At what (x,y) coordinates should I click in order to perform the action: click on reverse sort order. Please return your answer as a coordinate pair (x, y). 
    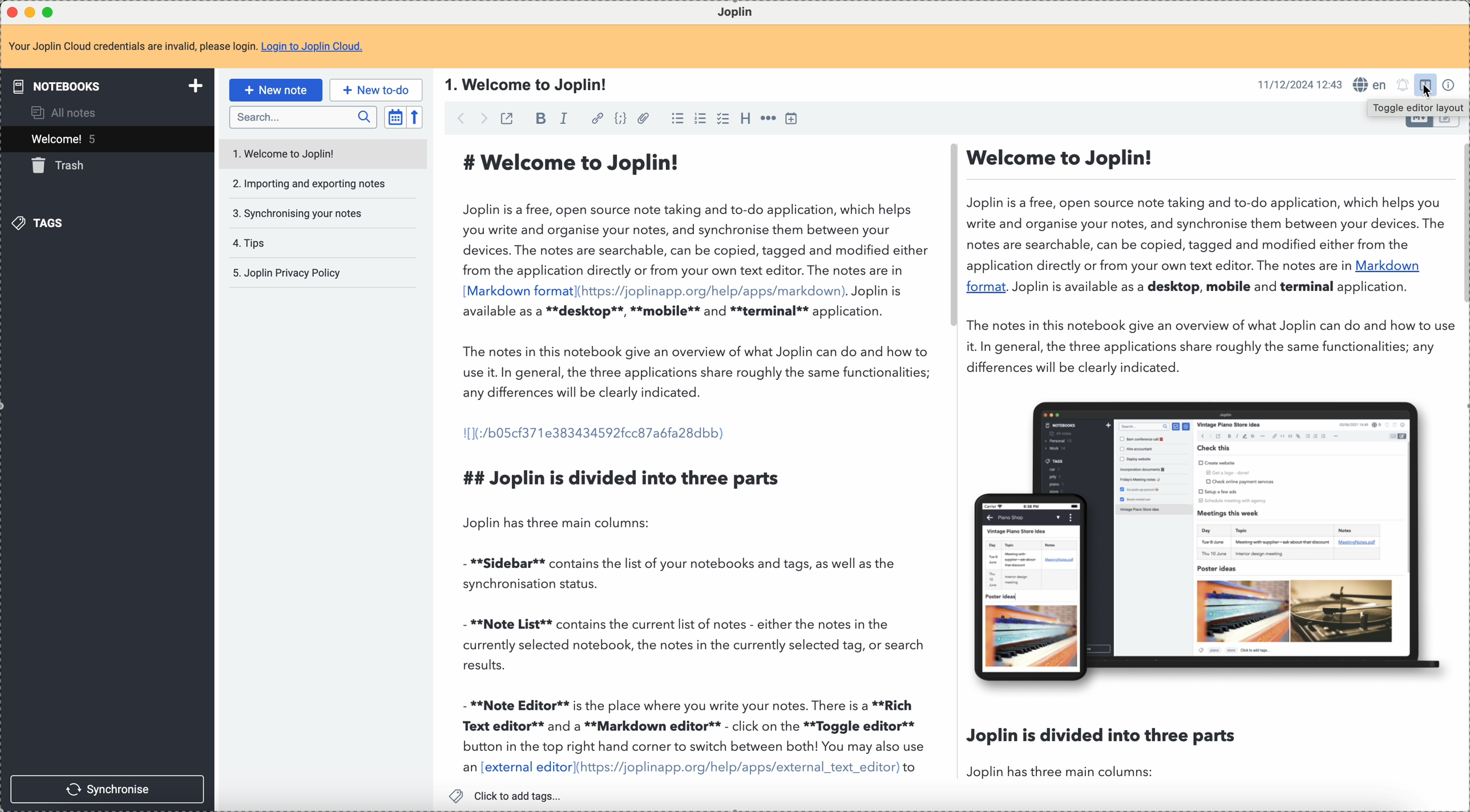
    Looking at the image, I should click on (418, 116).